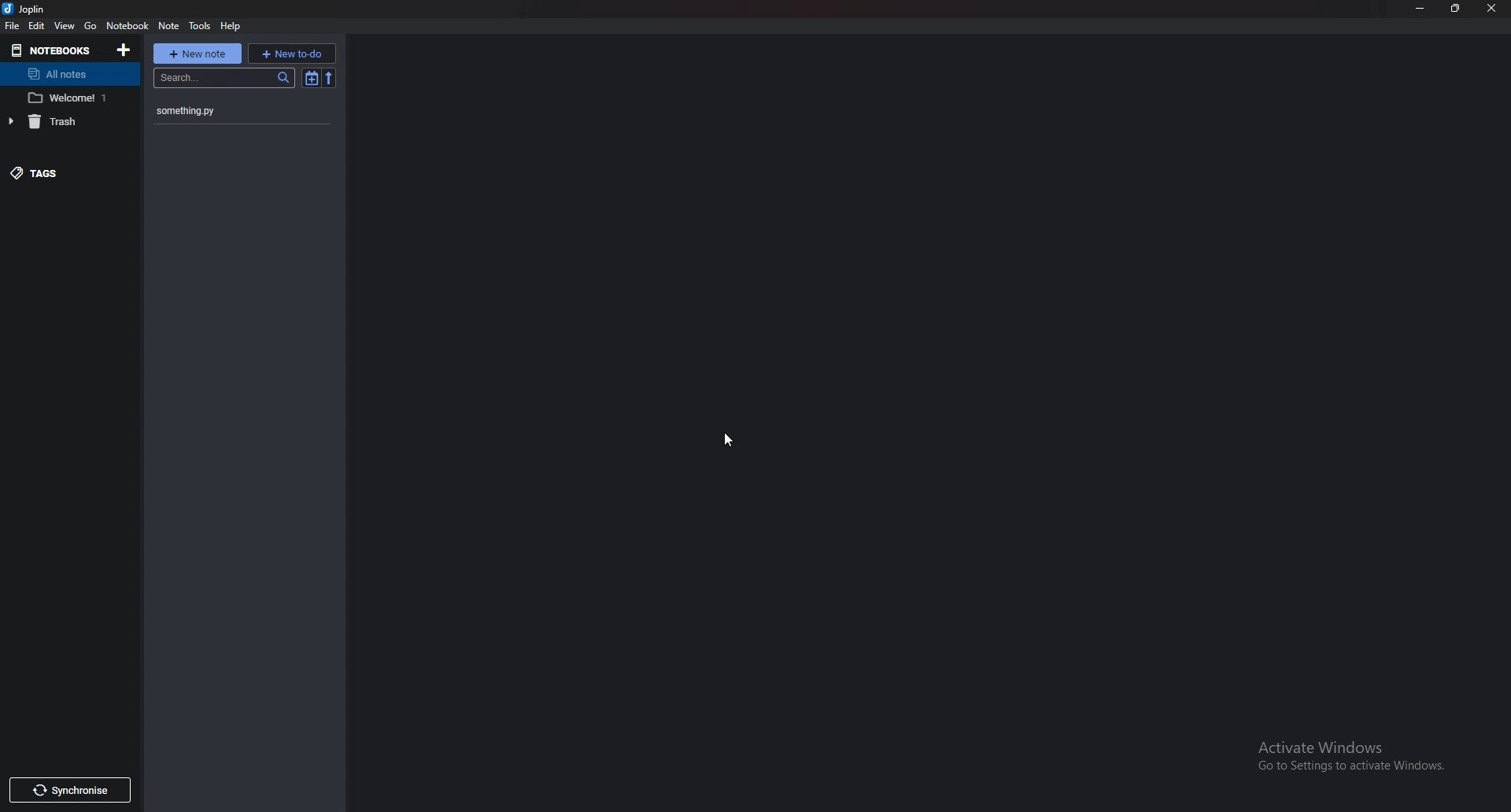 This screenshot has height=812, width=1511. What do you see at coordinates (225, 79) in the screenshot?
I see `search` at bounding box center [225, 79].